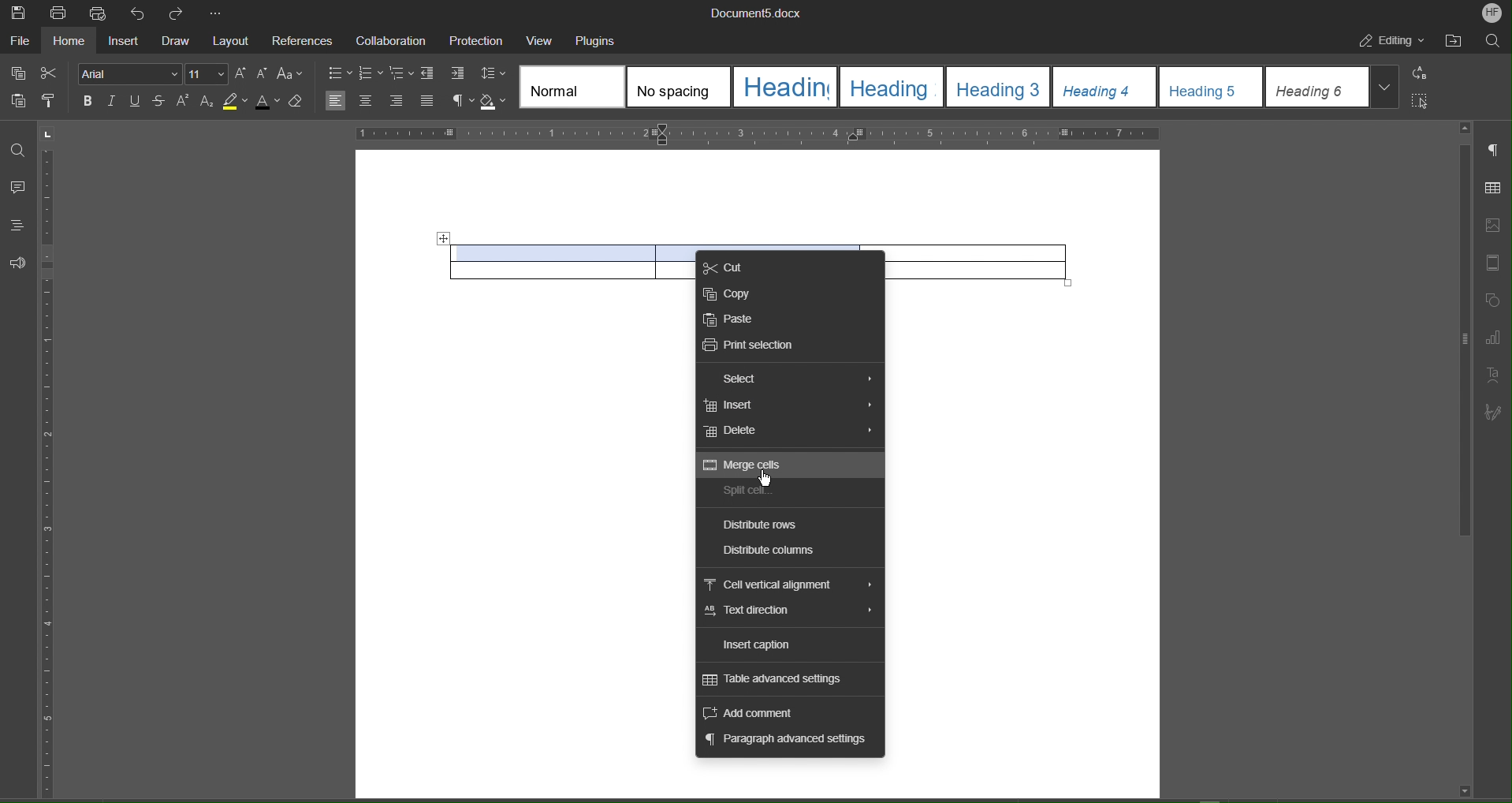 The image size is (1512, 803). Describe the element at coordinates (1496, 409) in the screenshot. I see `Signature` at that location.